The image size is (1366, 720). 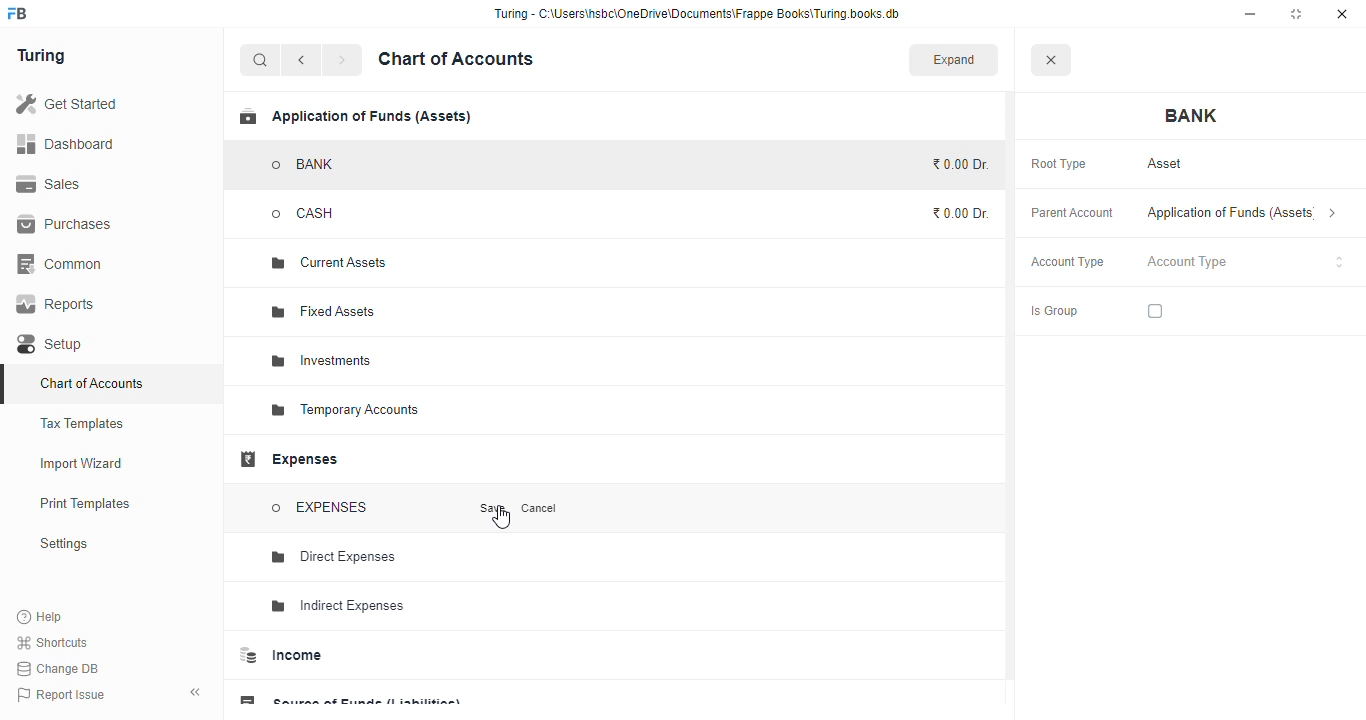 What do you see at coordinates (338, 606) in the screenshot?
I see `indirect expenses` at bounding box center [338, 606].